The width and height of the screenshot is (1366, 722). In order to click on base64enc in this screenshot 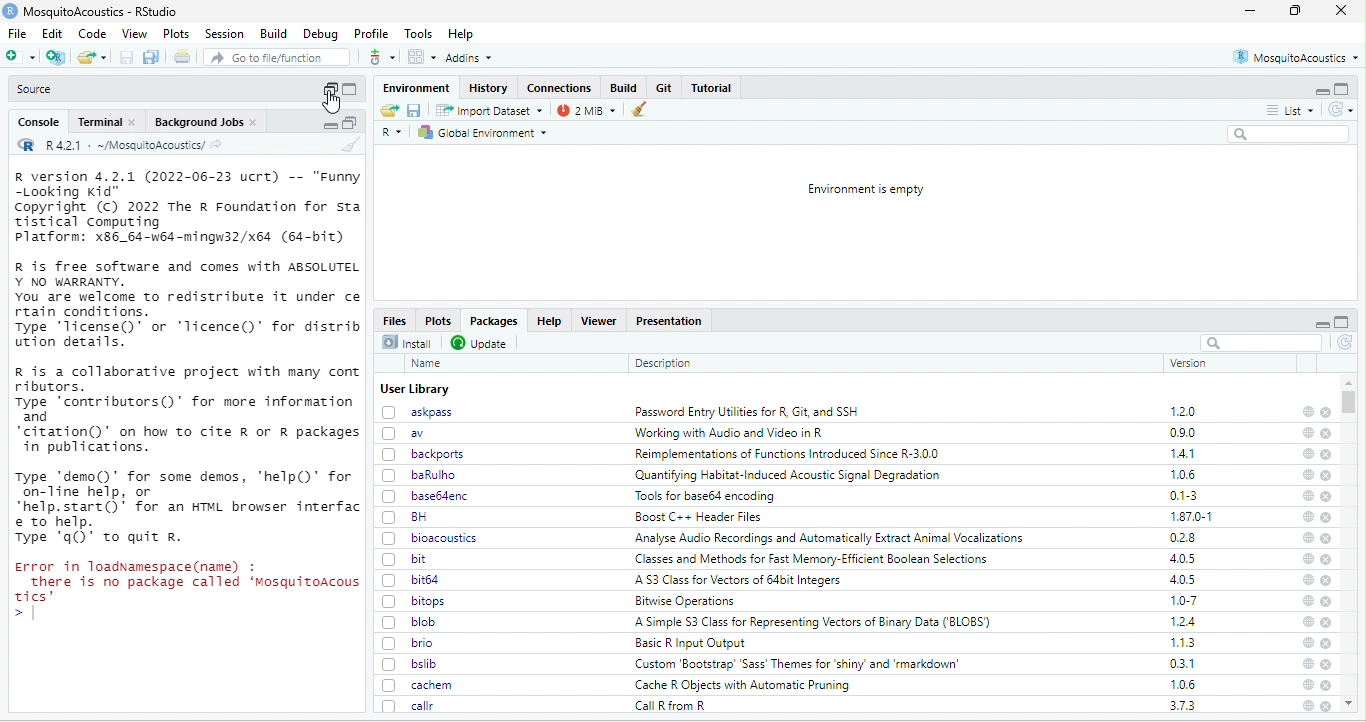, I will do `click(425, 495)`.